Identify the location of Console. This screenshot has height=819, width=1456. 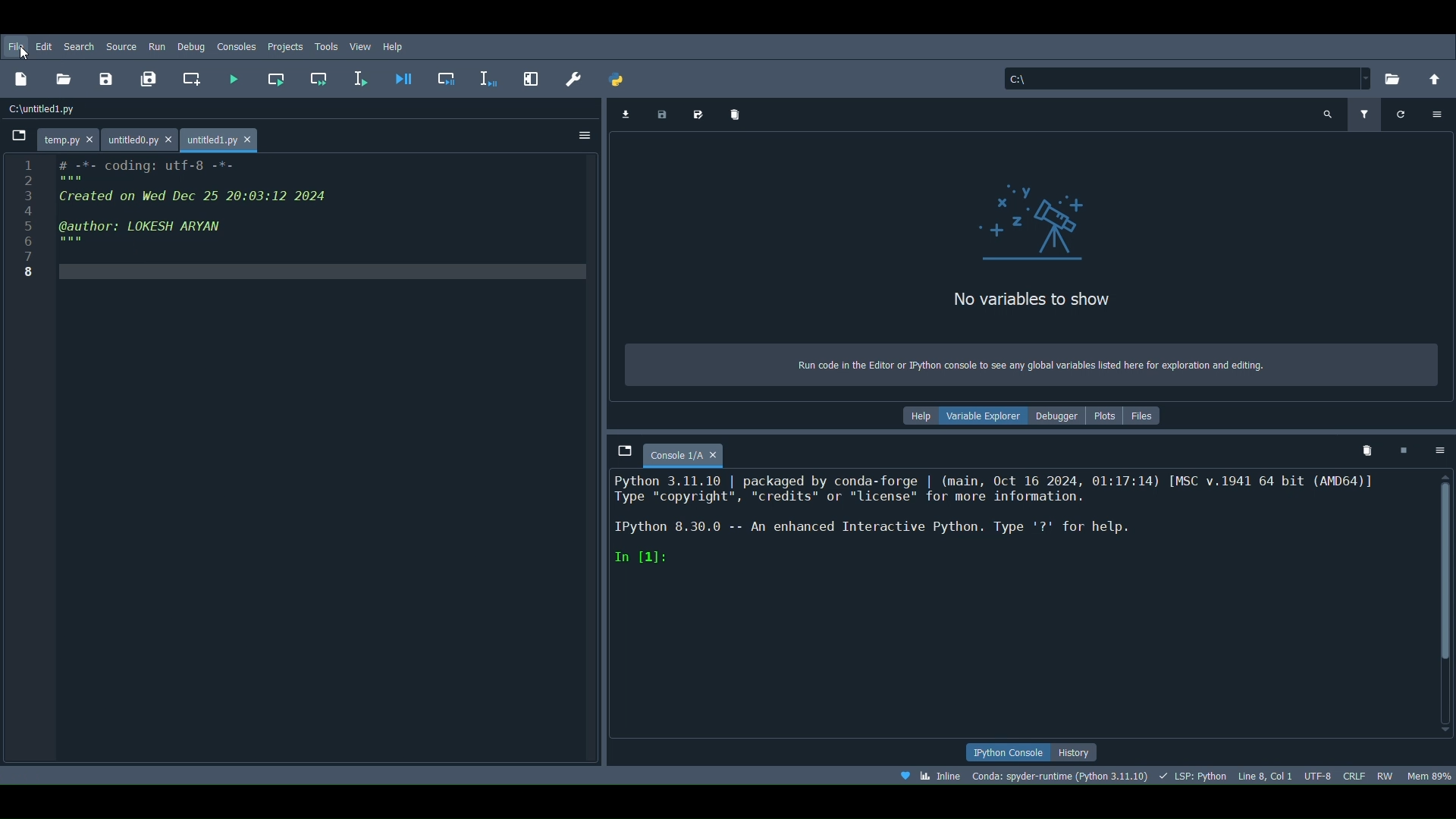
(1019, 606).